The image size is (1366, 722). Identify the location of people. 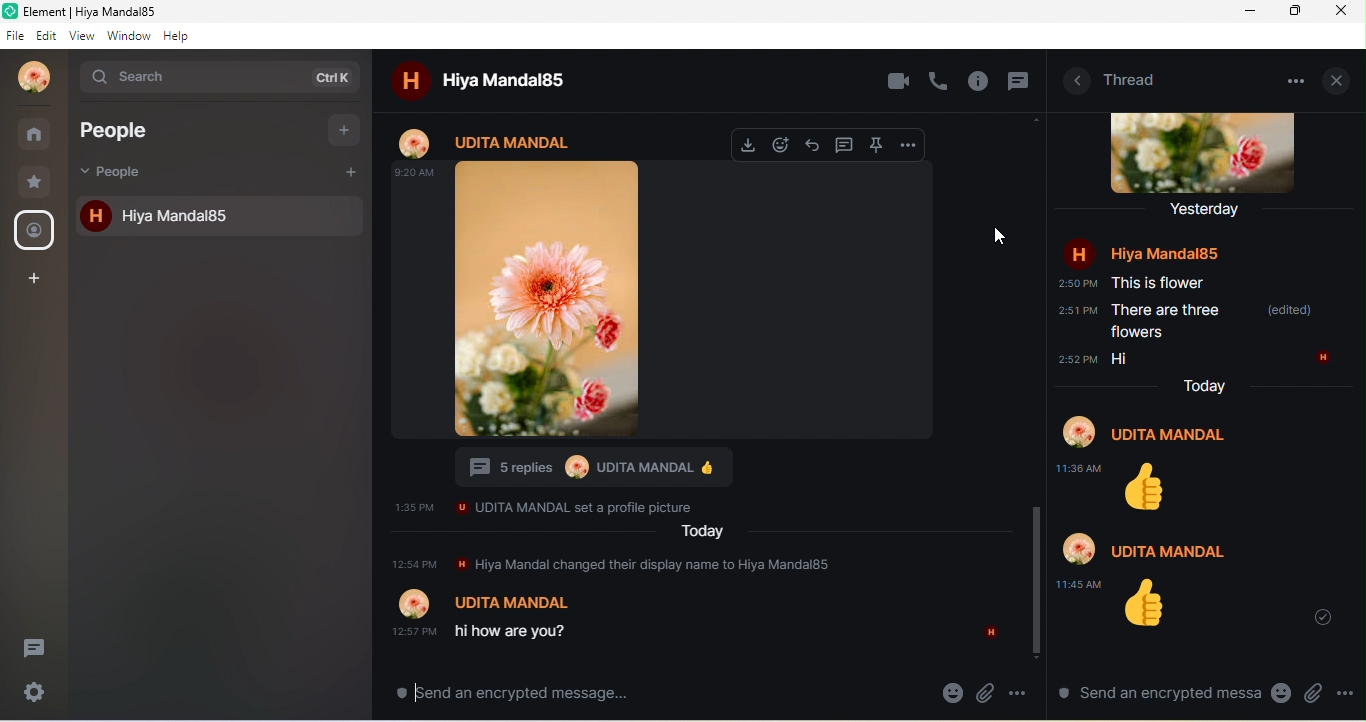
(36, 231).